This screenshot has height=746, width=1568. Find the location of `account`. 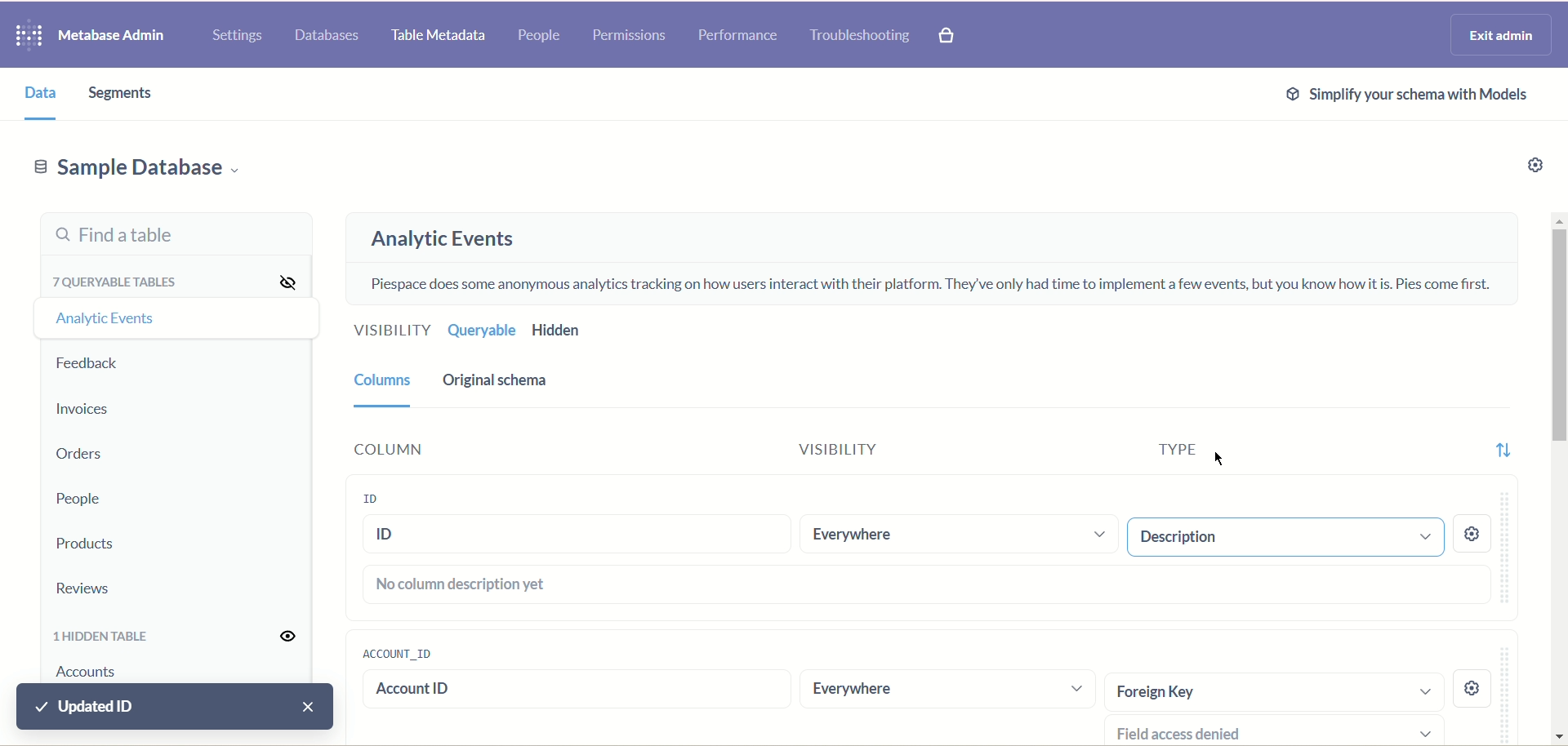

account is located at coordinates (91, 670).